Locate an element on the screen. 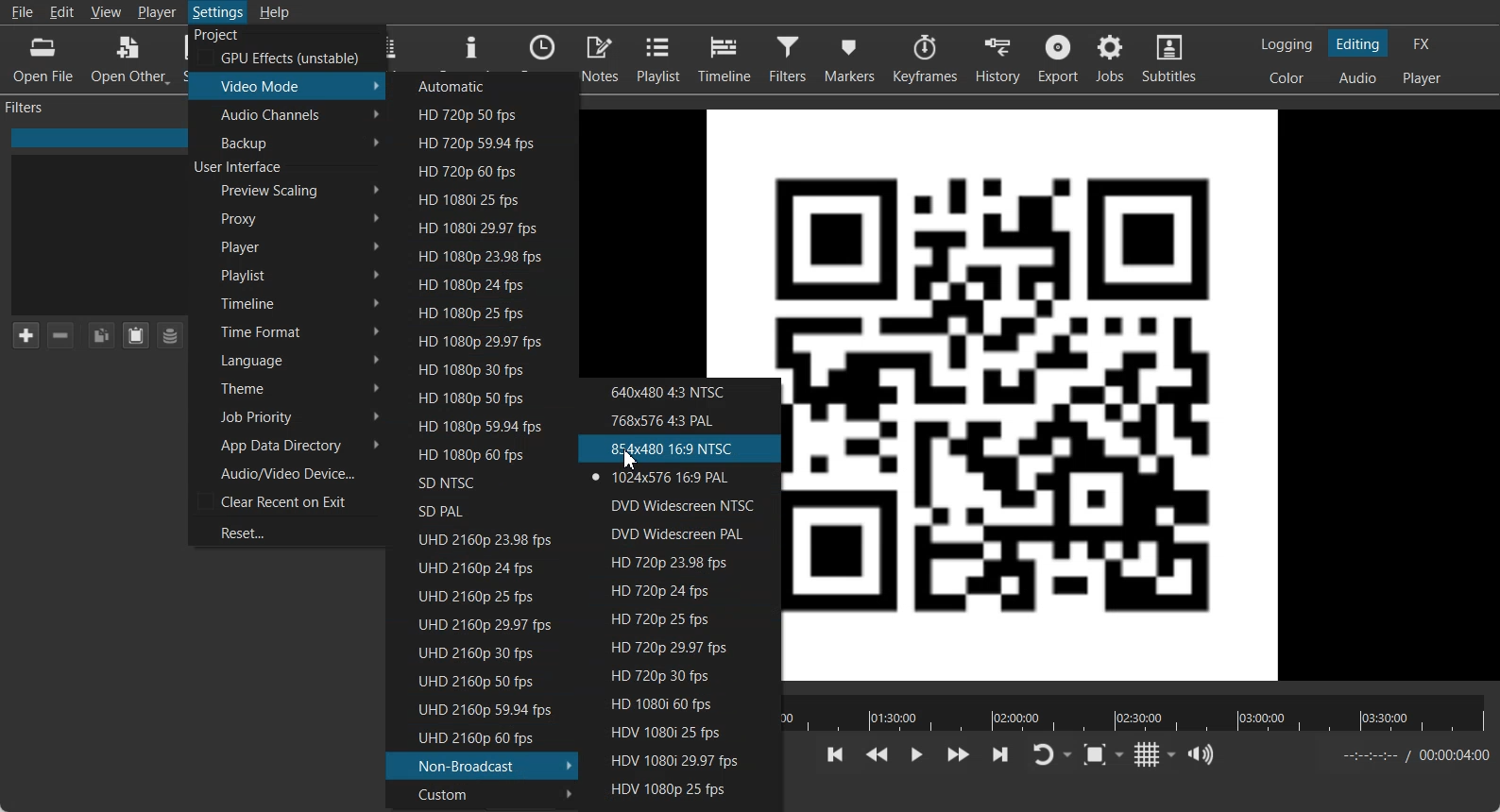  Skip to the previous point is located at coordinates (836, 754).